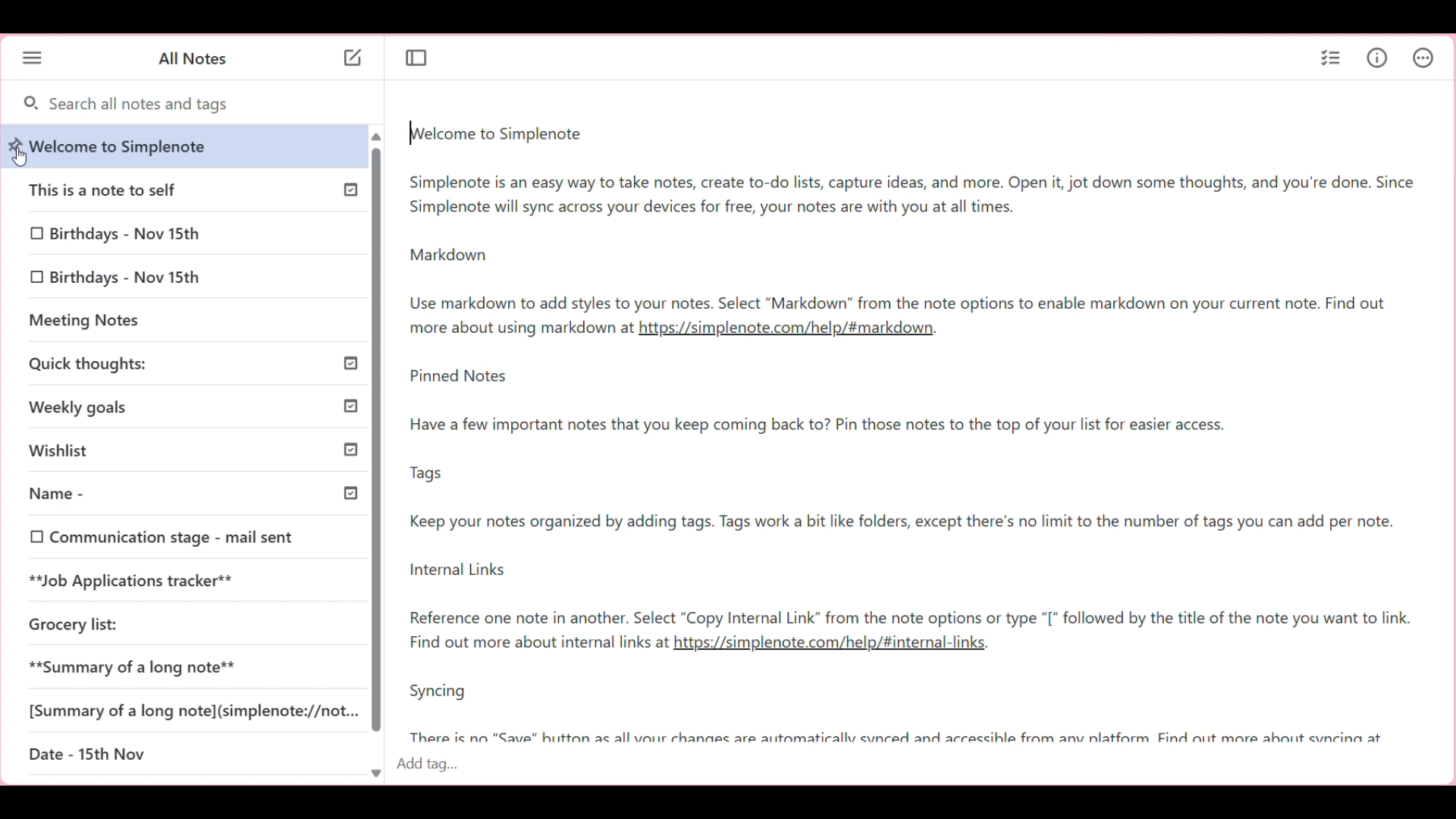  I want to click on Info, so click(1377, 57).